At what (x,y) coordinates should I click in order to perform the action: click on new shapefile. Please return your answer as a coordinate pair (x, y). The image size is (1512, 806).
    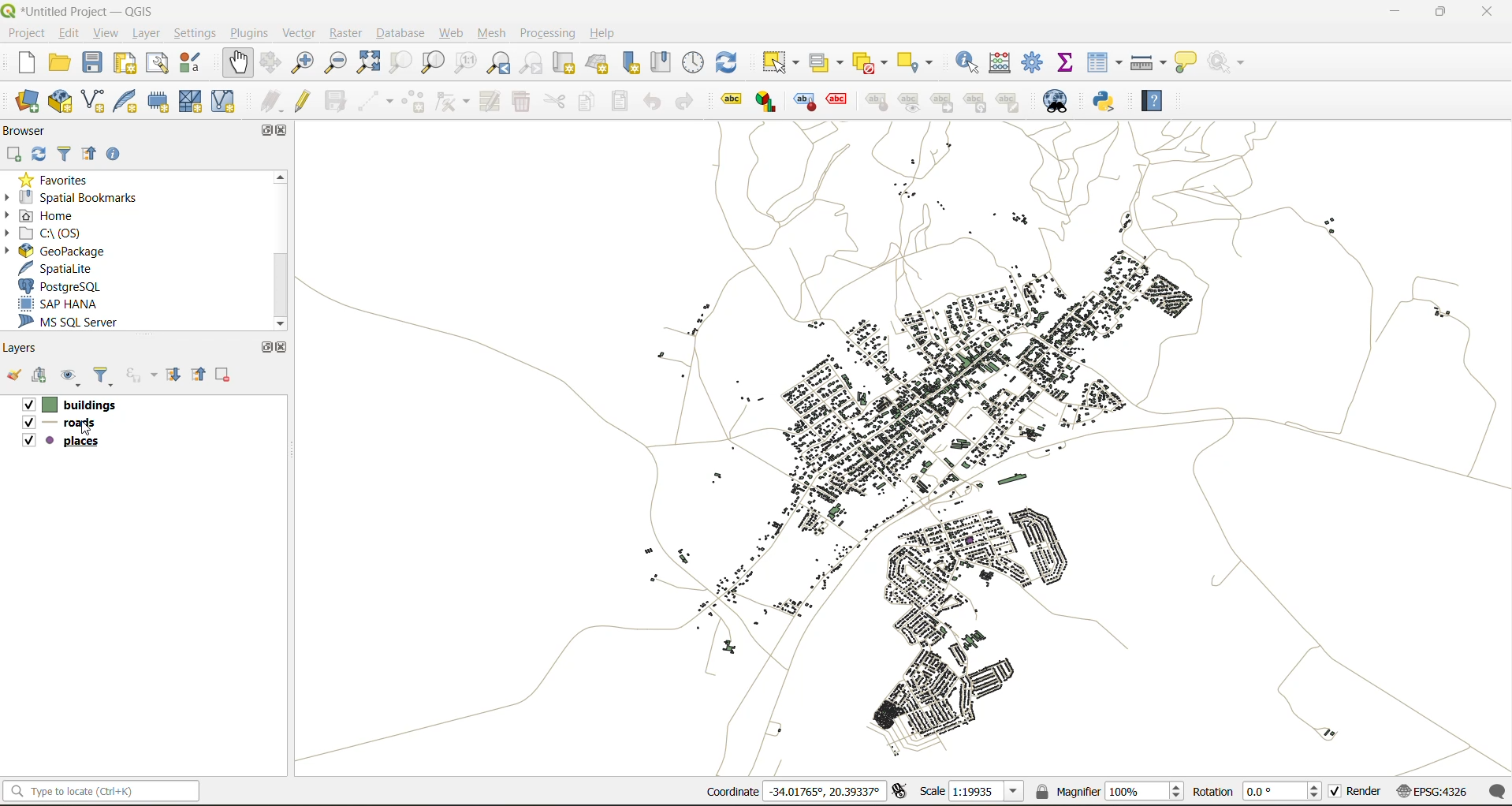
    Looking at the image, I should click on (90, 102).